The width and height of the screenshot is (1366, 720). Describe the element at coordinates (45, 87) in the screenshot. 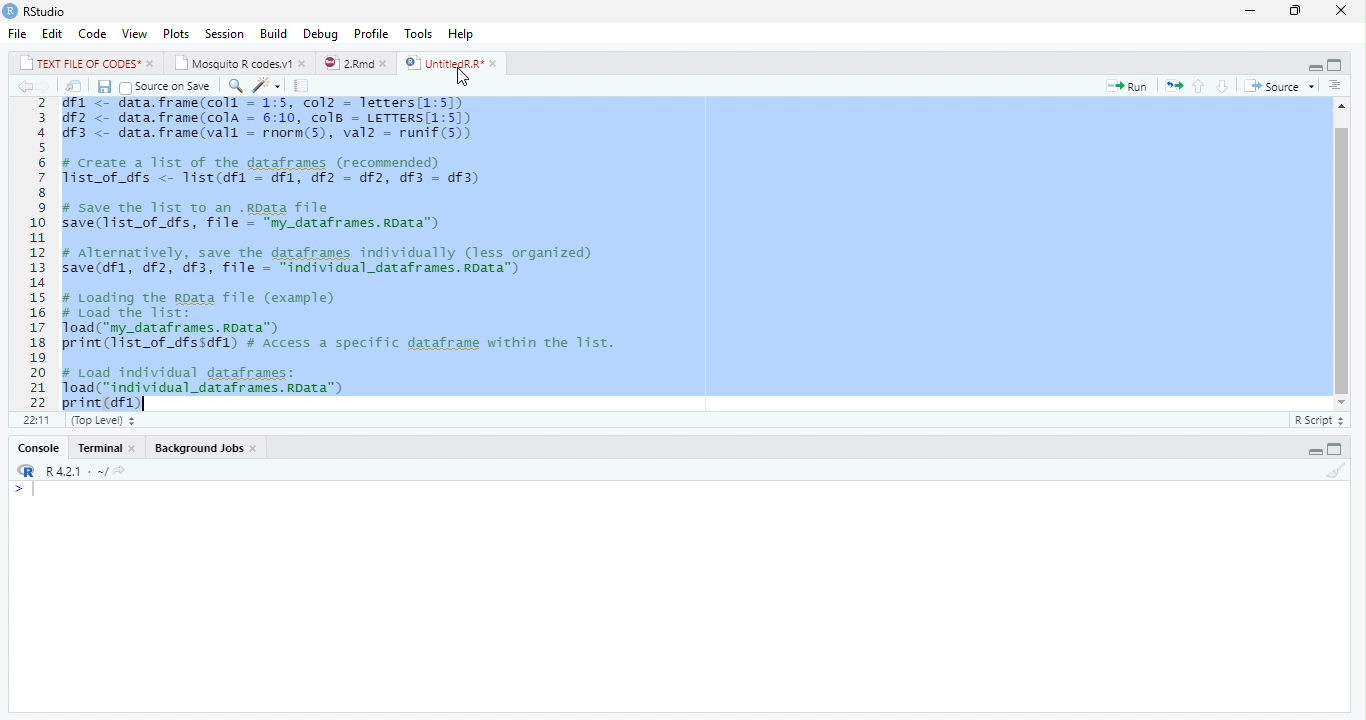

I see `Go to next location` at that location.